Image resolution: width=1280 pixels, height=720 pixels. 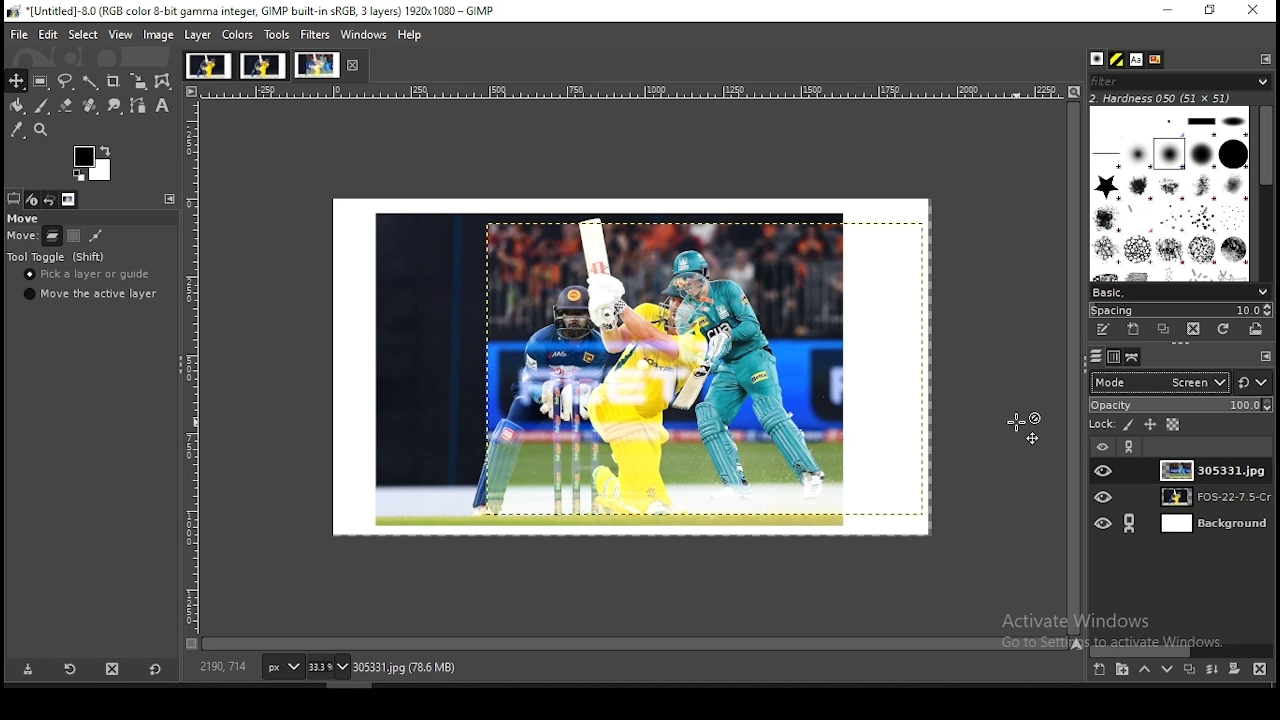 What do you see at coordinates (284, 666) in the screenshot?
I see `units` at bounding box center [284, 666].